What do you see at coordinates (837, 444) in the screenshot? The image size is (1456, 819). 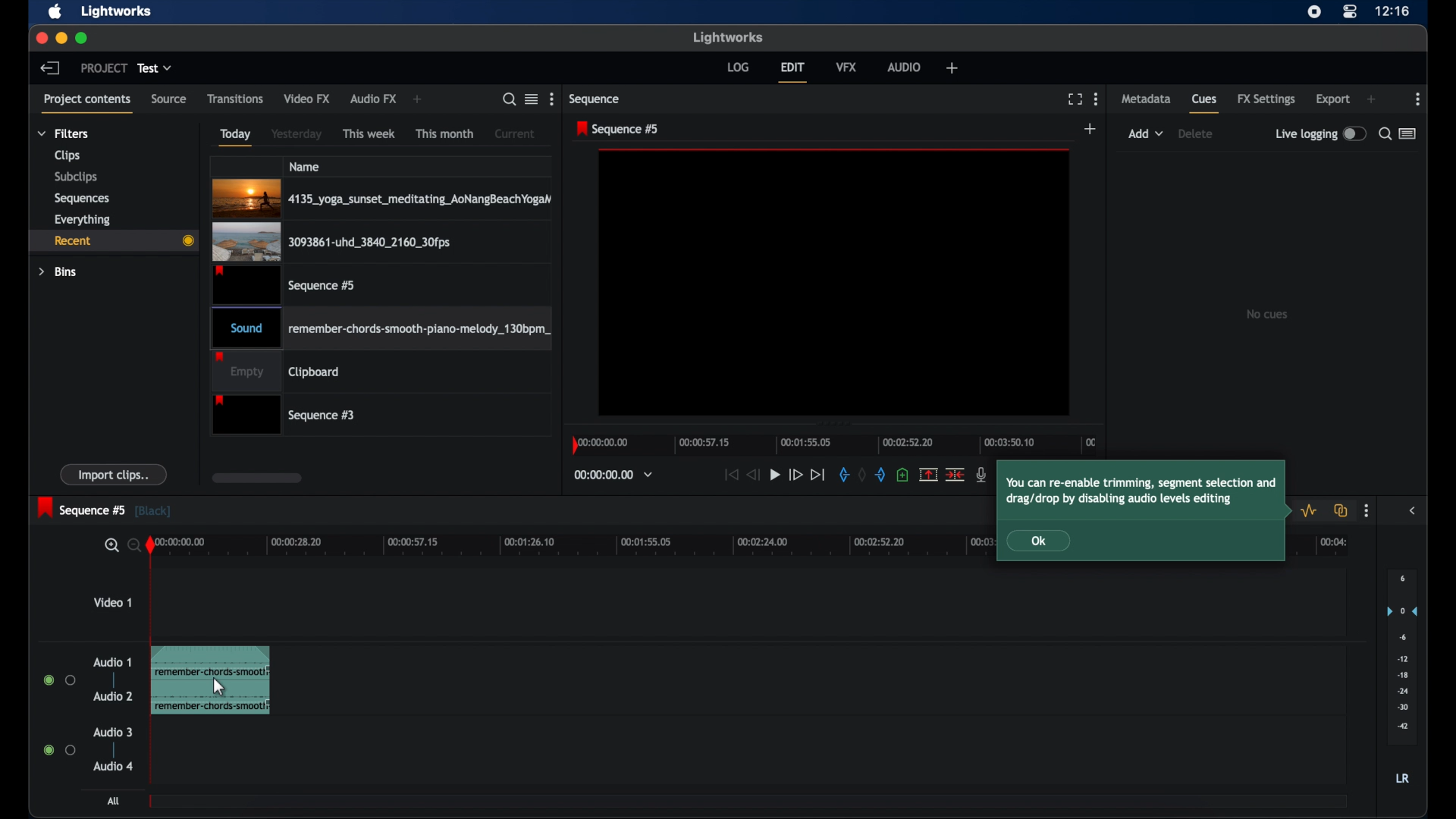 I see `timeline` at bounding box center [837, 444].